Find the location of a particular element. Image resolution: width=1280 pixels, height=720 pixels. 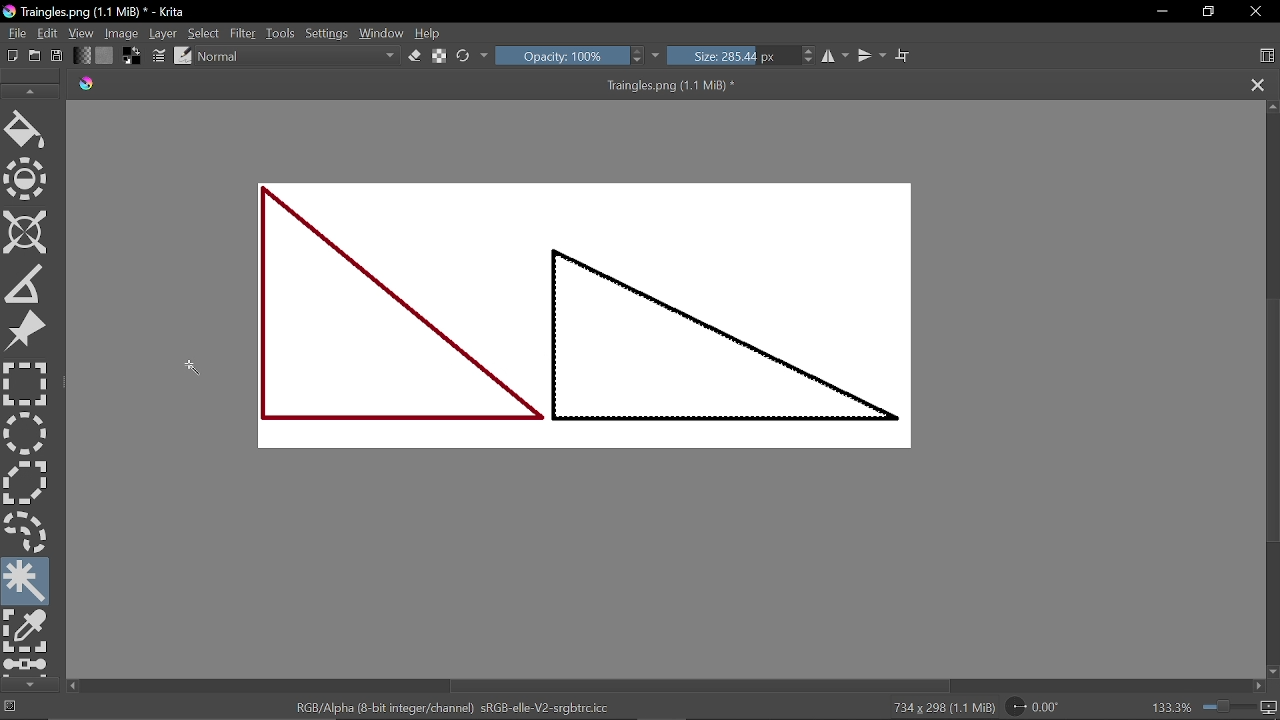

Polygon select tool is located at coordinates (24, 482).